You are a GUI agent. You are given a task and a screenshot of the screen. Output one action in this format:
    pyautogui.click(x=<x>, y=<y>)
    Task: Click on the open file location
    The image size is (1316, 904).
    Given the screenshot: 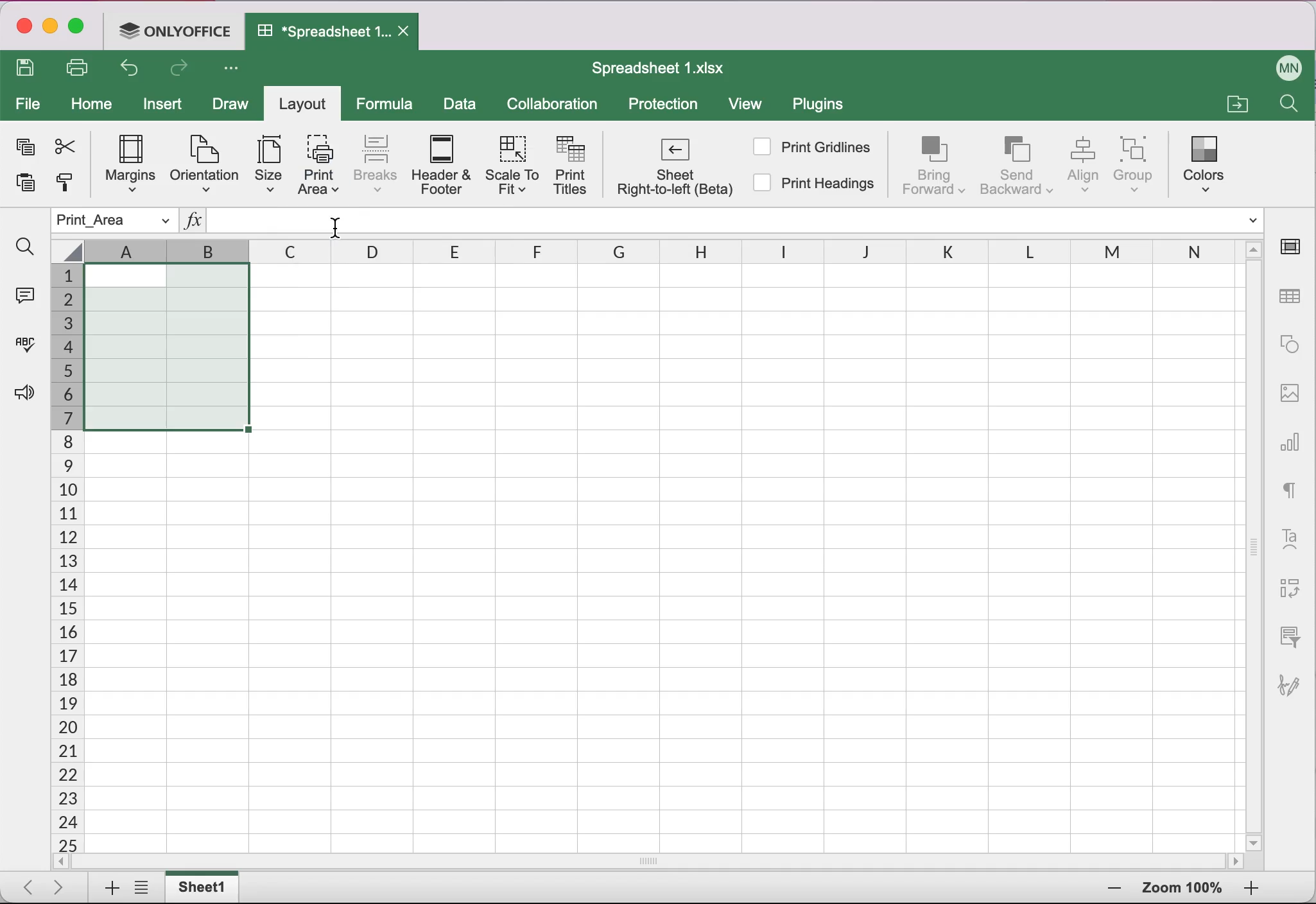 What is the action you would take?
    pyautogui.click(x=1235, y=102)
    